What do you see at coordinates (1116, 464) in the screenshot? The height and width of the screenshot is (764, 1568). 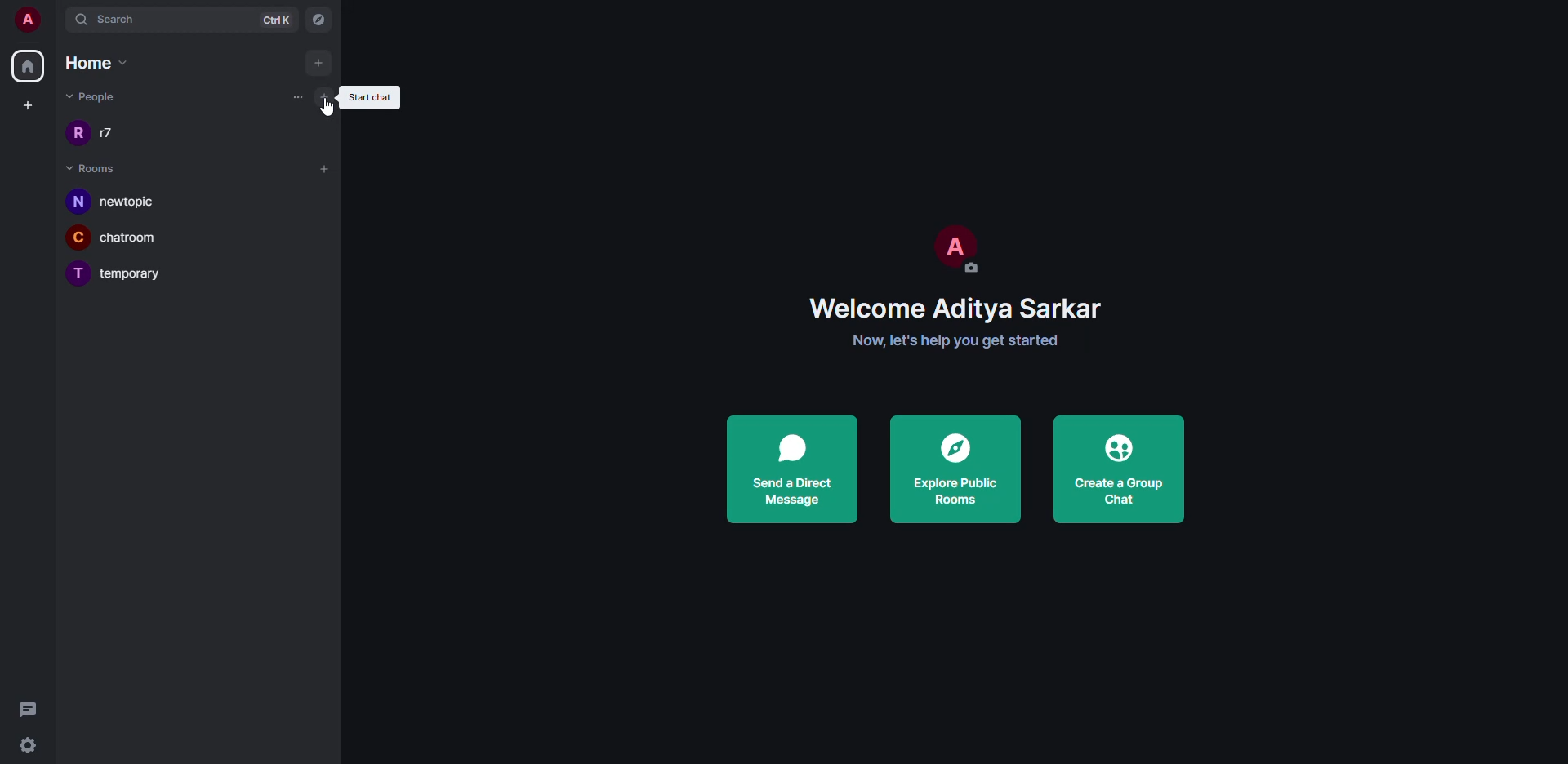 I see `Create a GroupChat` at bounding box center [1116, 464].